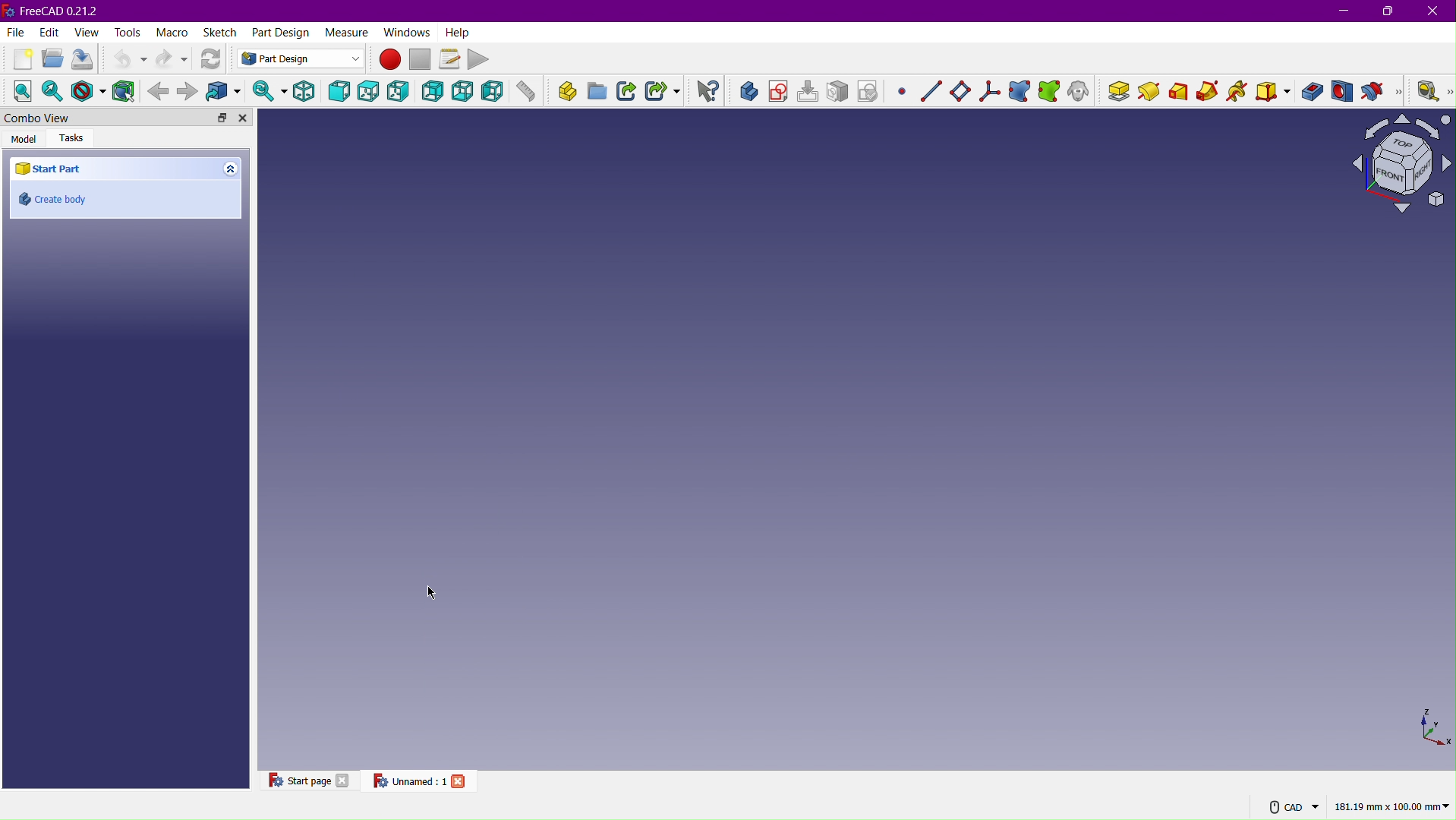 This screenshot has width=1456, height=820. What do you see at coordinates (1149, 92) in the screenshot?
I see `Revolution` at bounding box center [1149, 92].